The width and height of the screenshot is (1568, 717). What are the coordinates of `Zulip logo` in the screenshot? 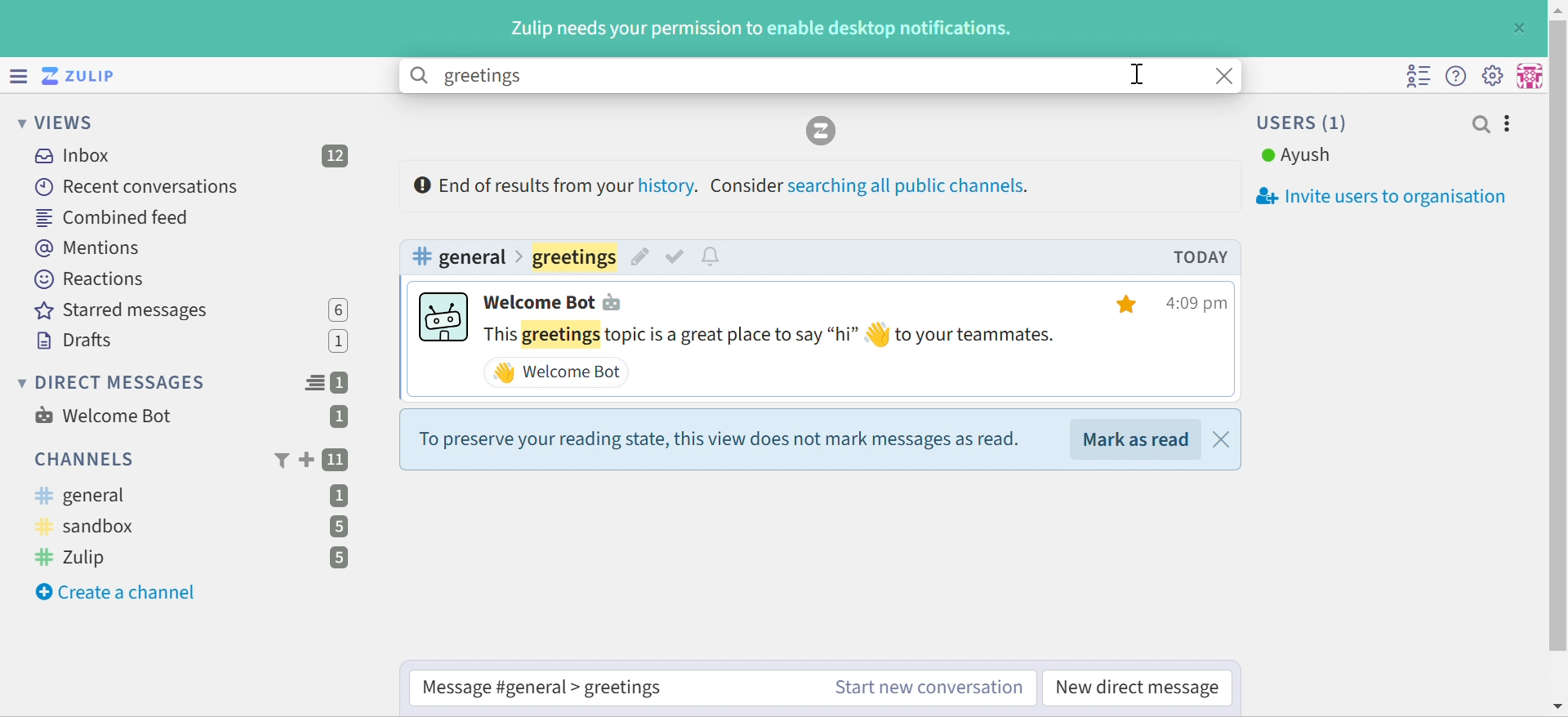 It's located at (82, 75).